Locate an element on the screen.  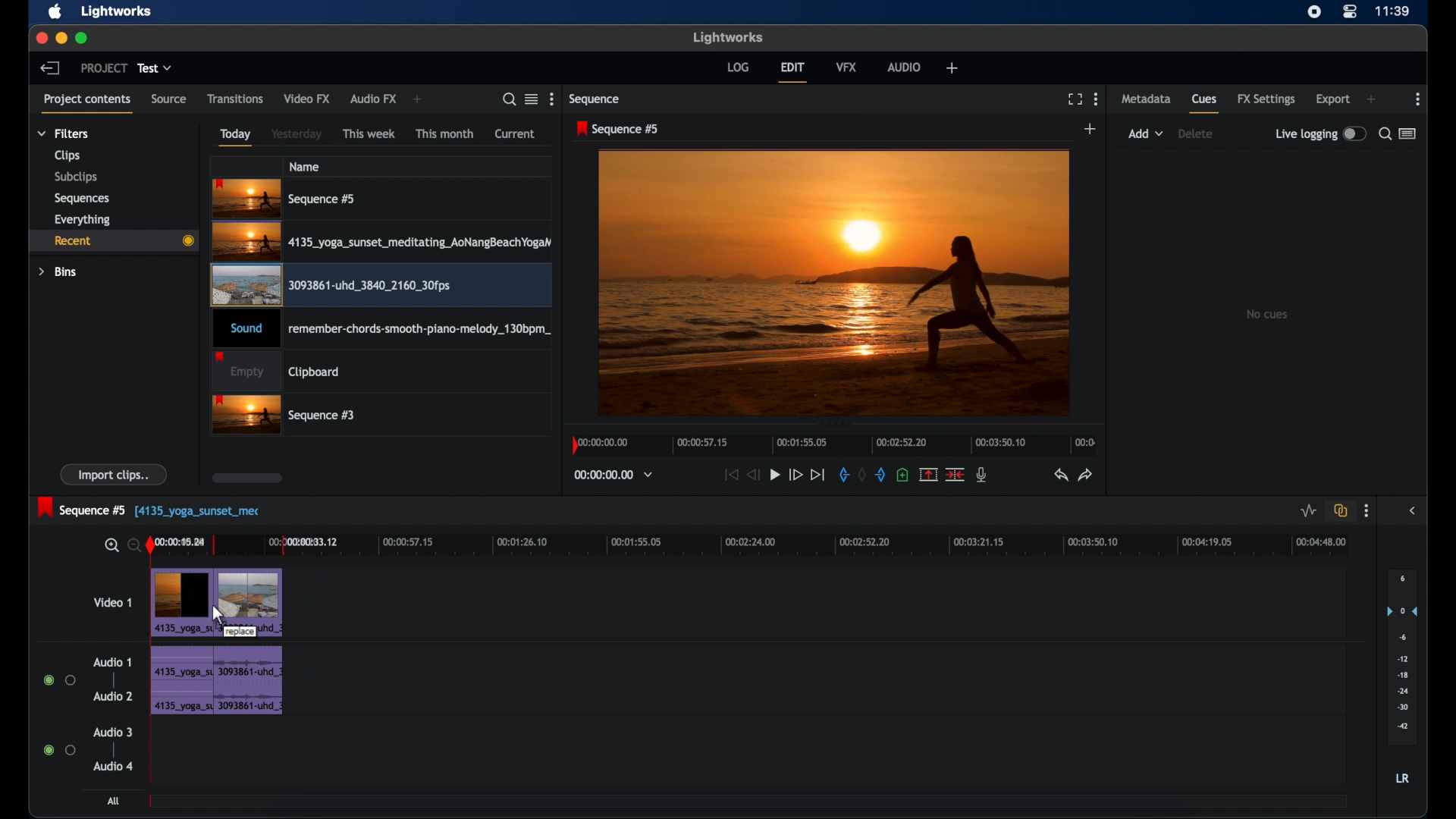
back is located at coordinates (51, 67).